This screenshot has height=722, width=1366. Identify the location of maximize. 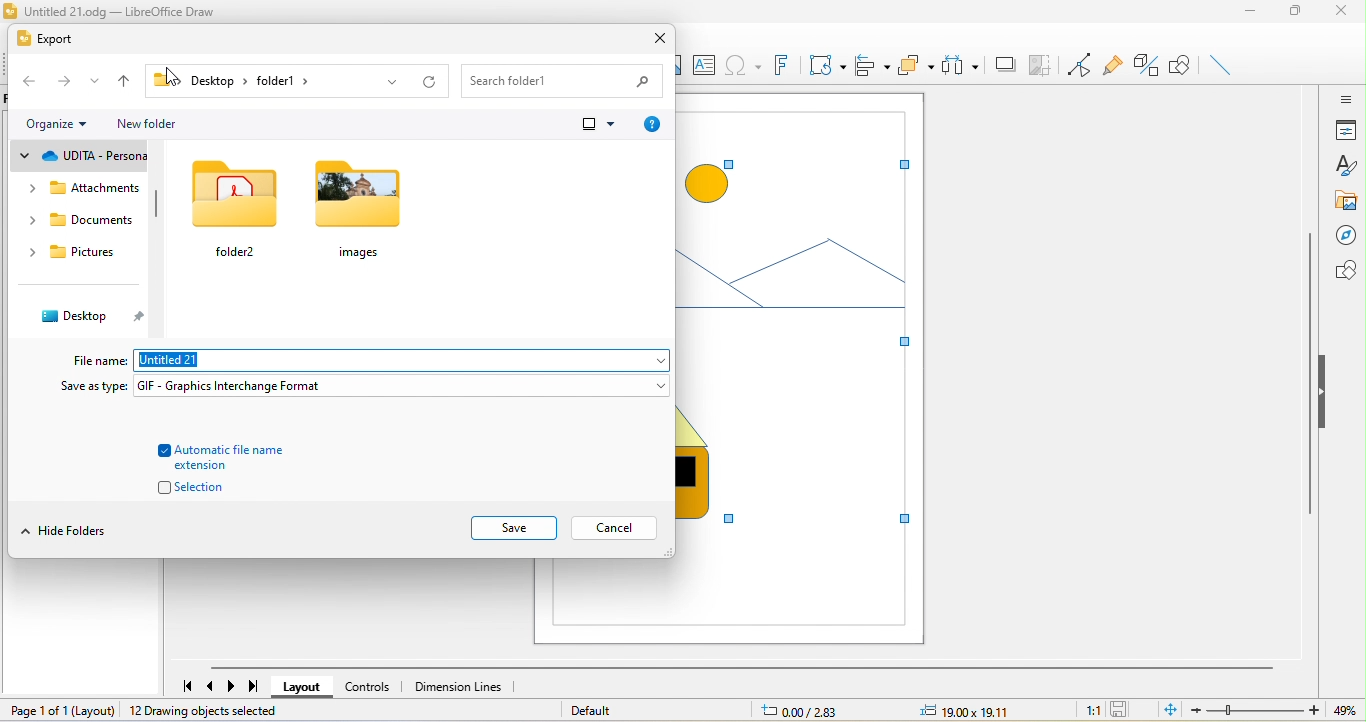
(1293, 15).